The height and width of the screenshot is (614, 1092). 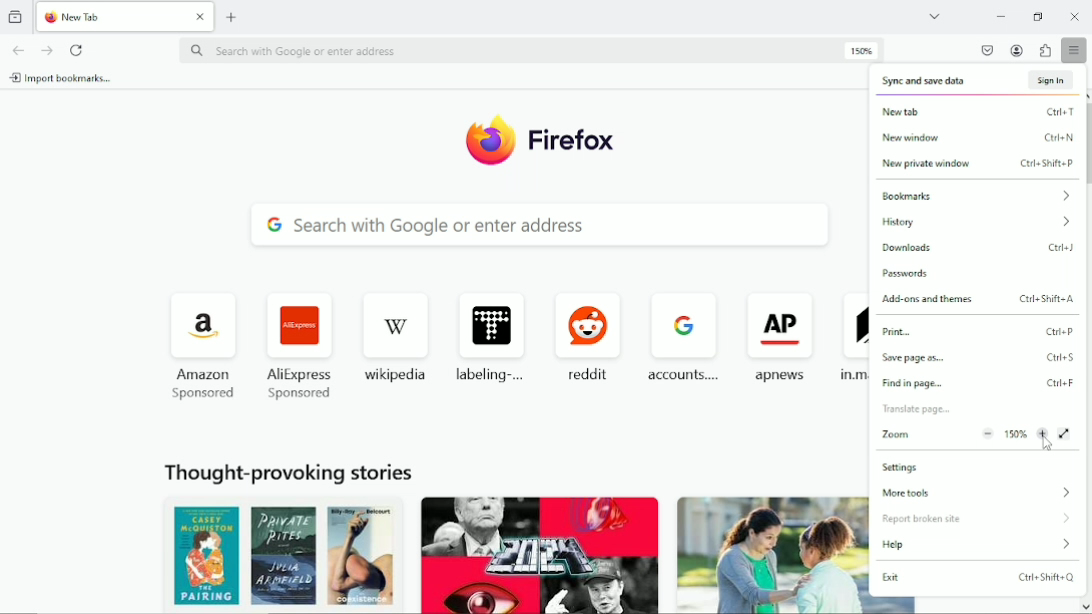 What do you see at coordinates (684, 332) in the screenshot?
I see `accounts google` at bounding box center [684, 332].